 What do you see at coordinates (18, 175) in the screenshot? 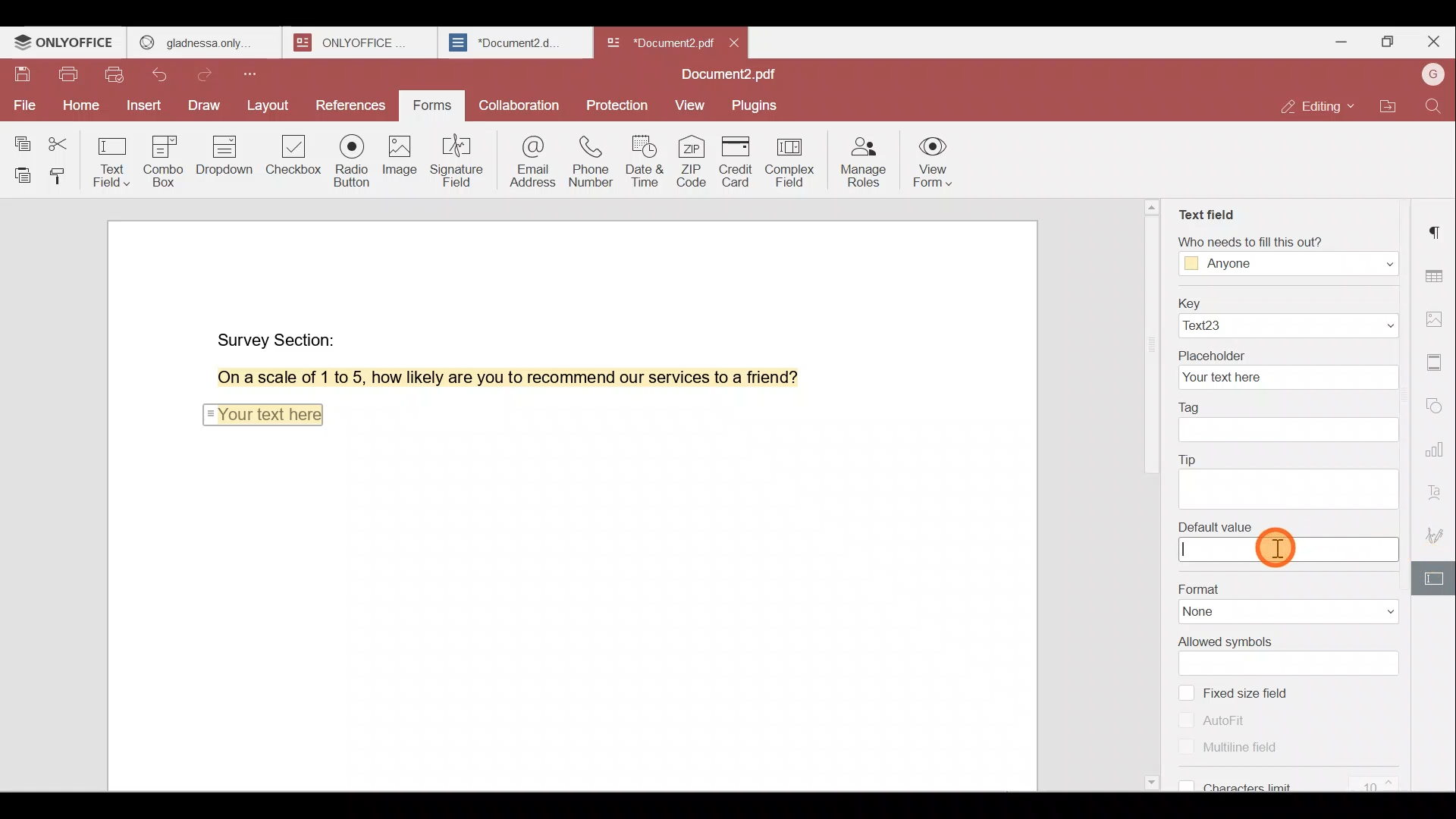
I see `Paste` at bounding box center [18, 175].